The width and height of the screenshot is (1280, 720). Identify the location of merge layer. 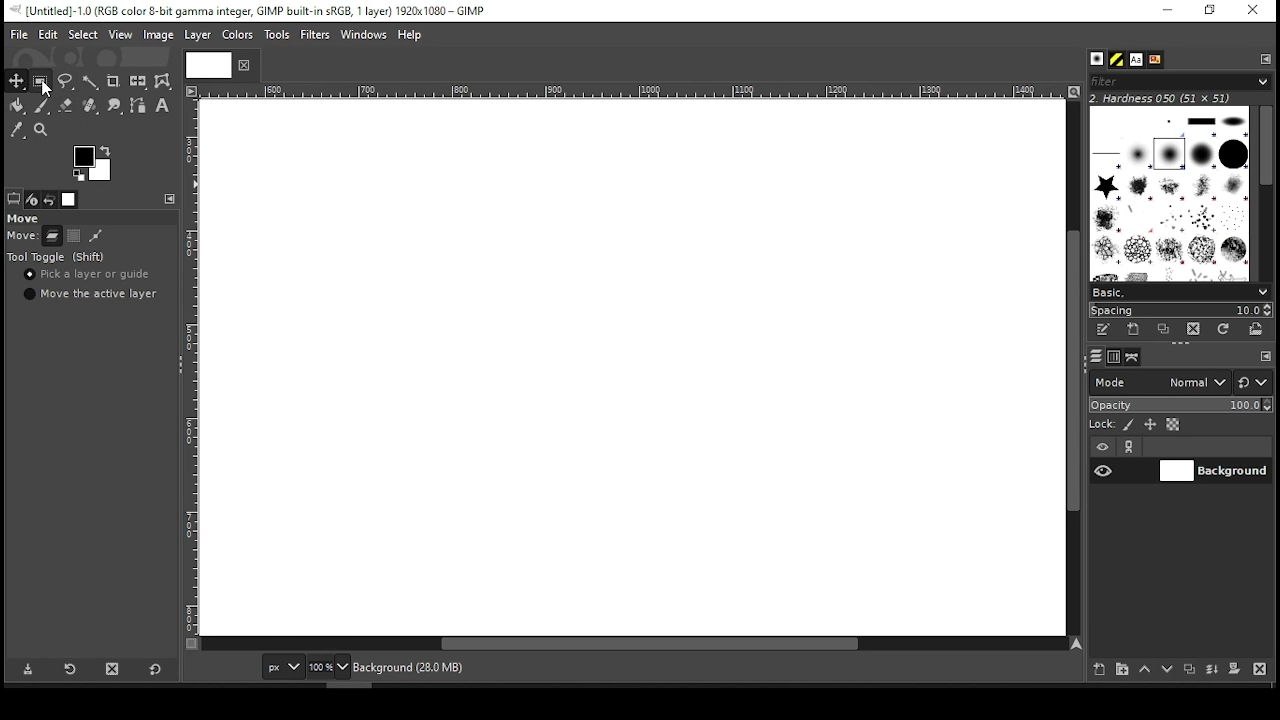
(1212, 670).